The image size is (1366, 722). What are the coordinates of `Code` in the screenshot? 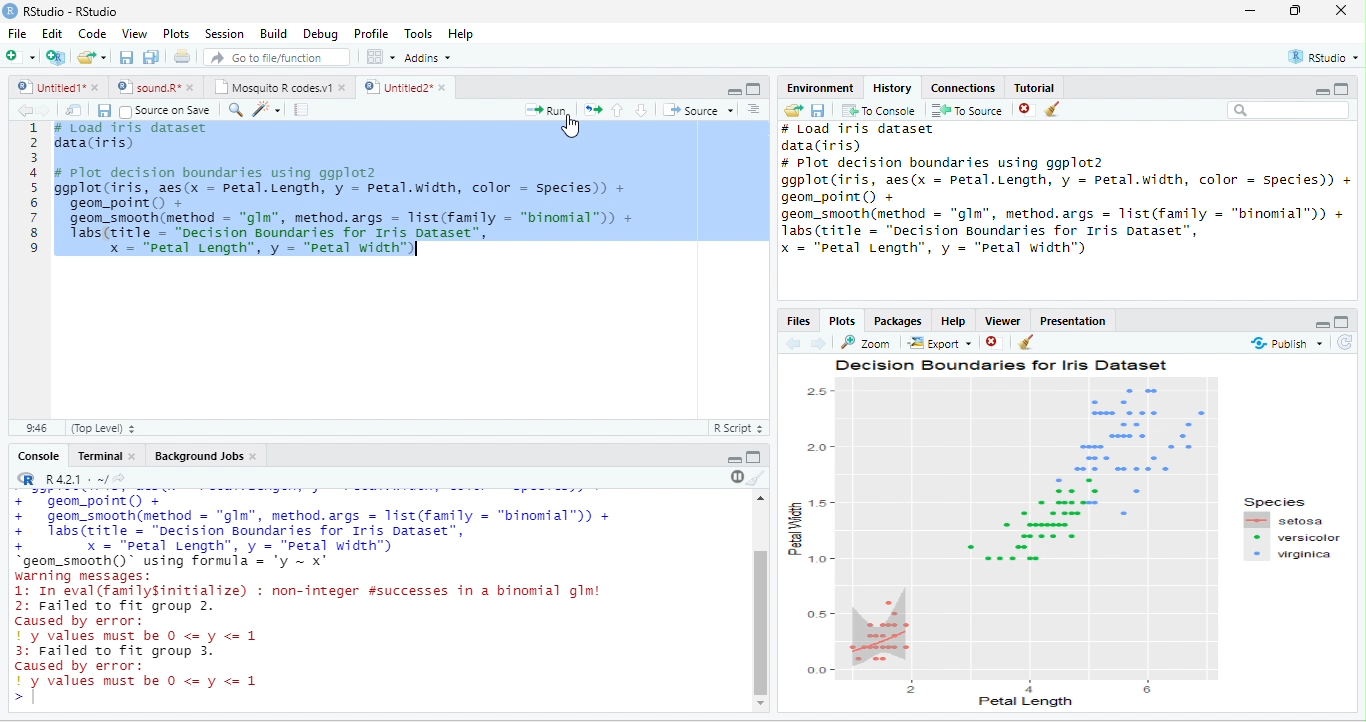 It's located at (92, 33).